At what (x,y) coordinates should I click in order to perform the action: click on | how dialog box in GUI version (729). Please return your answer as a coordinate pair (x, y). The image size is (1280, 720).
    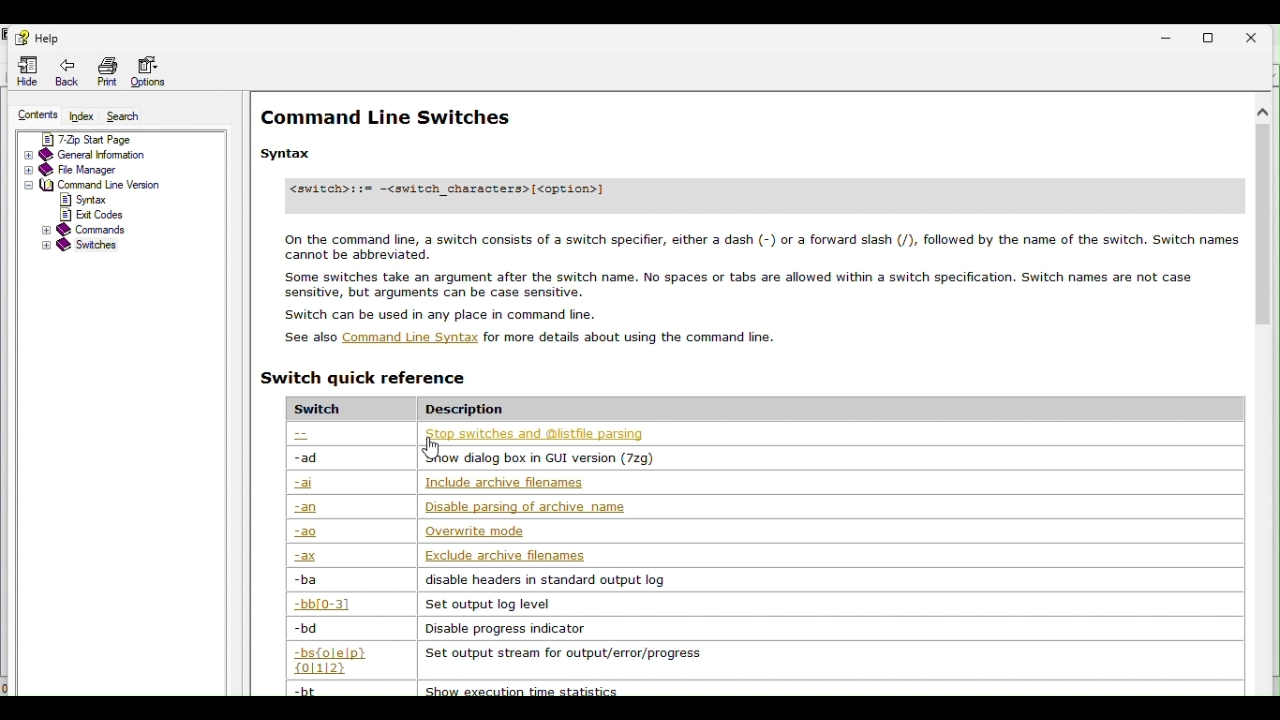
    Looking at the image, I should click on (547, 459).